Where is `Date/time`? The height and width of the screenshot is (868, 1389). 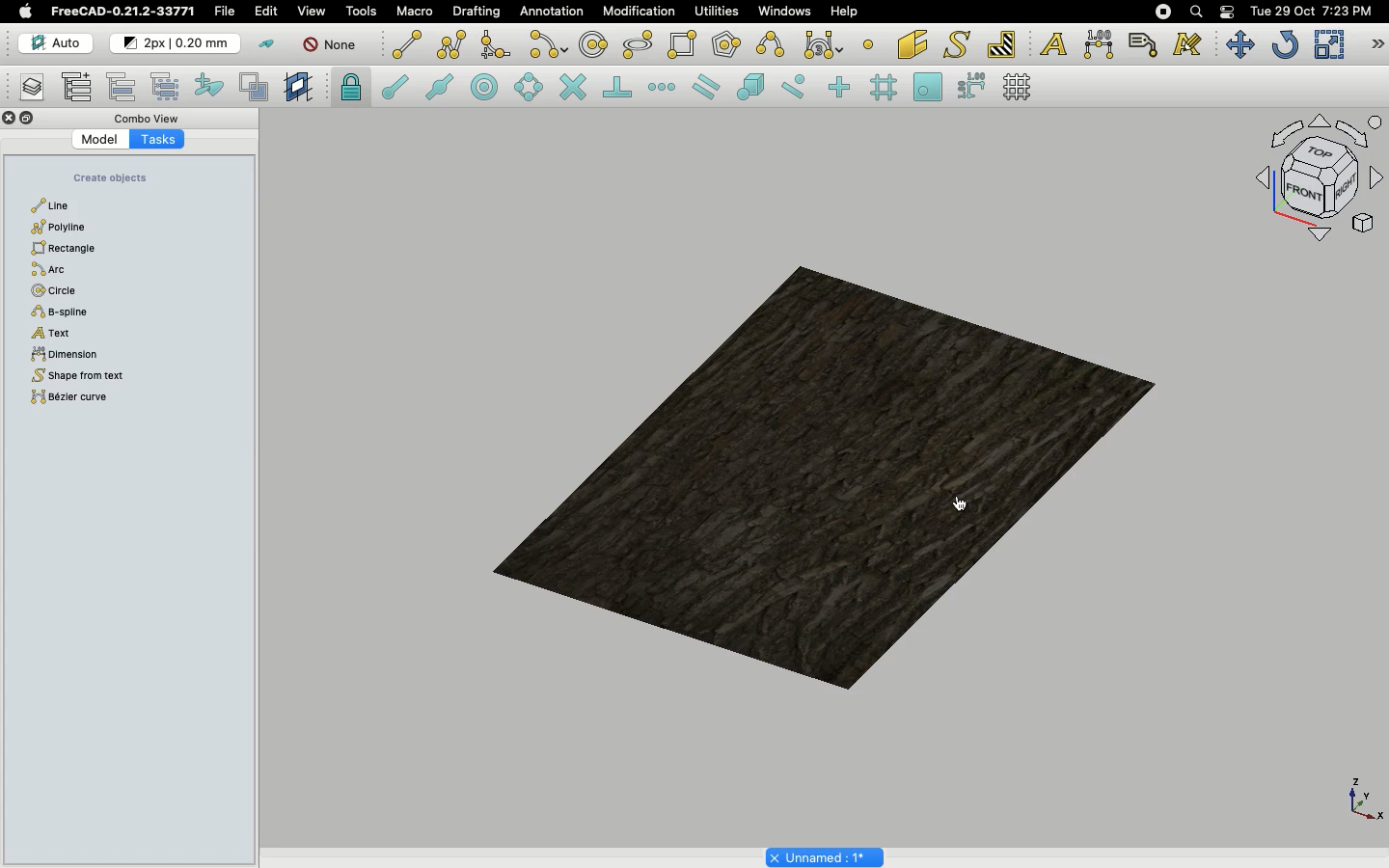
Date/time is located at coordinates (1312, 12).